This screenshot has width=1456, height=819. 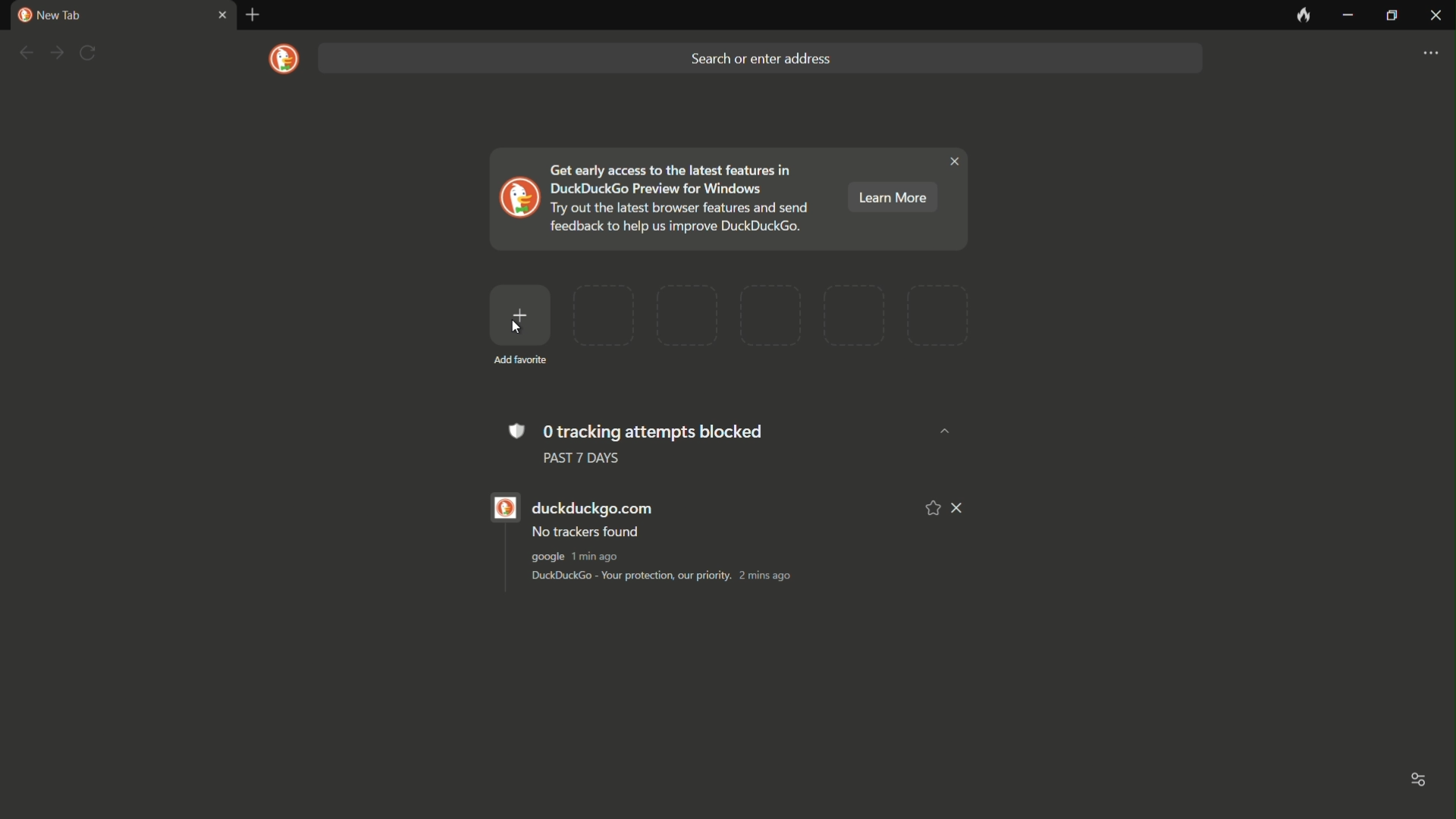 I want to click on search bar, so click(x=758, y=58).